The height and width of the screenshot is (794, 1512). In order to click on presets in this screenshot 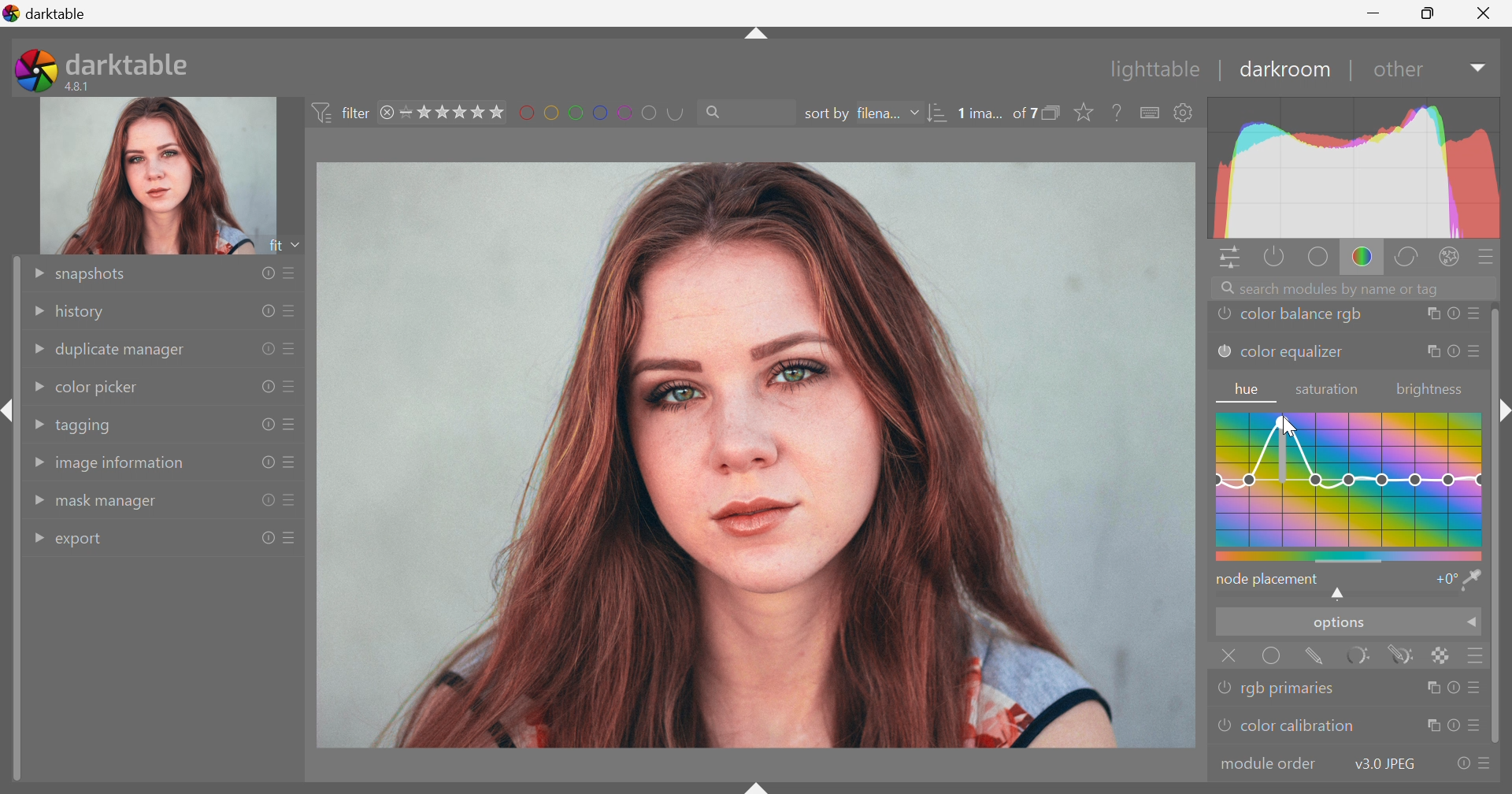, I will do `click(292, 270)`.